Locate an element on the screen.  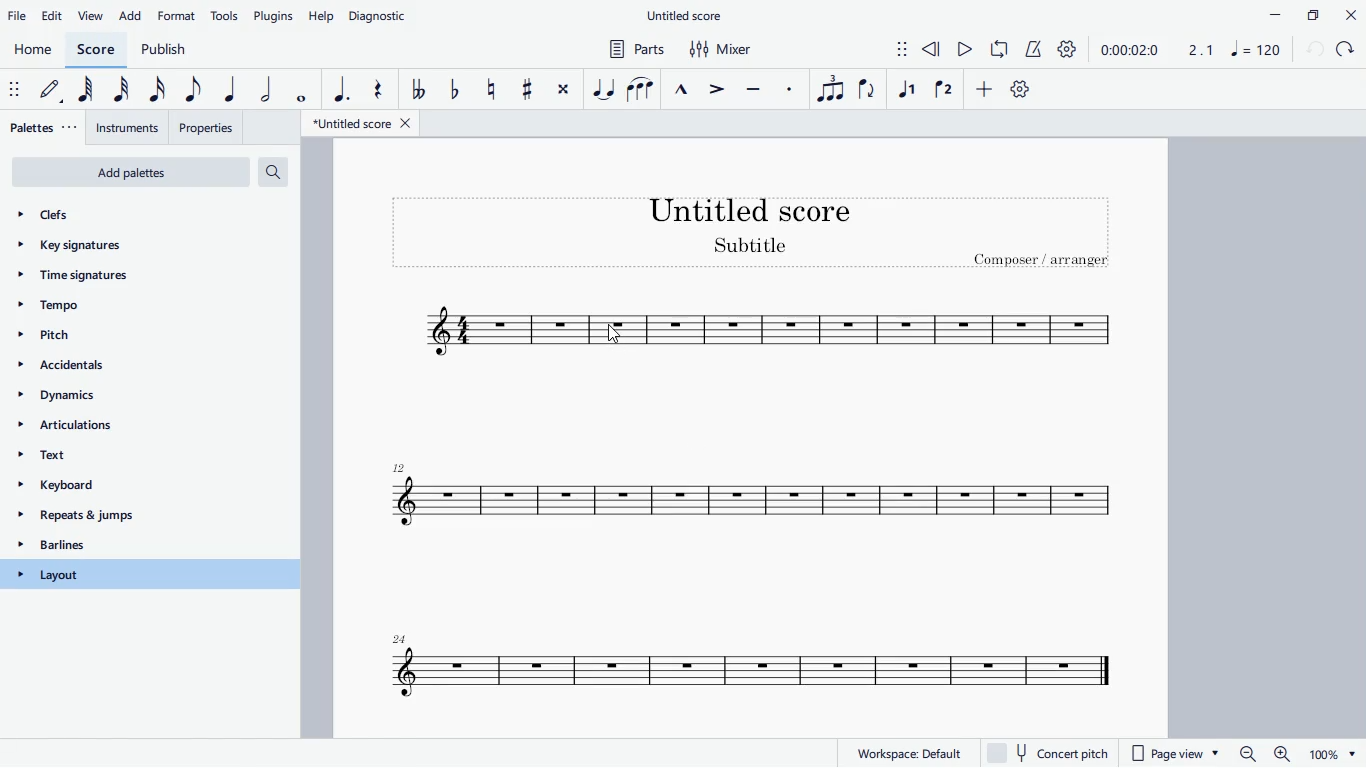
untitled score is located at coordinates (364, 123).